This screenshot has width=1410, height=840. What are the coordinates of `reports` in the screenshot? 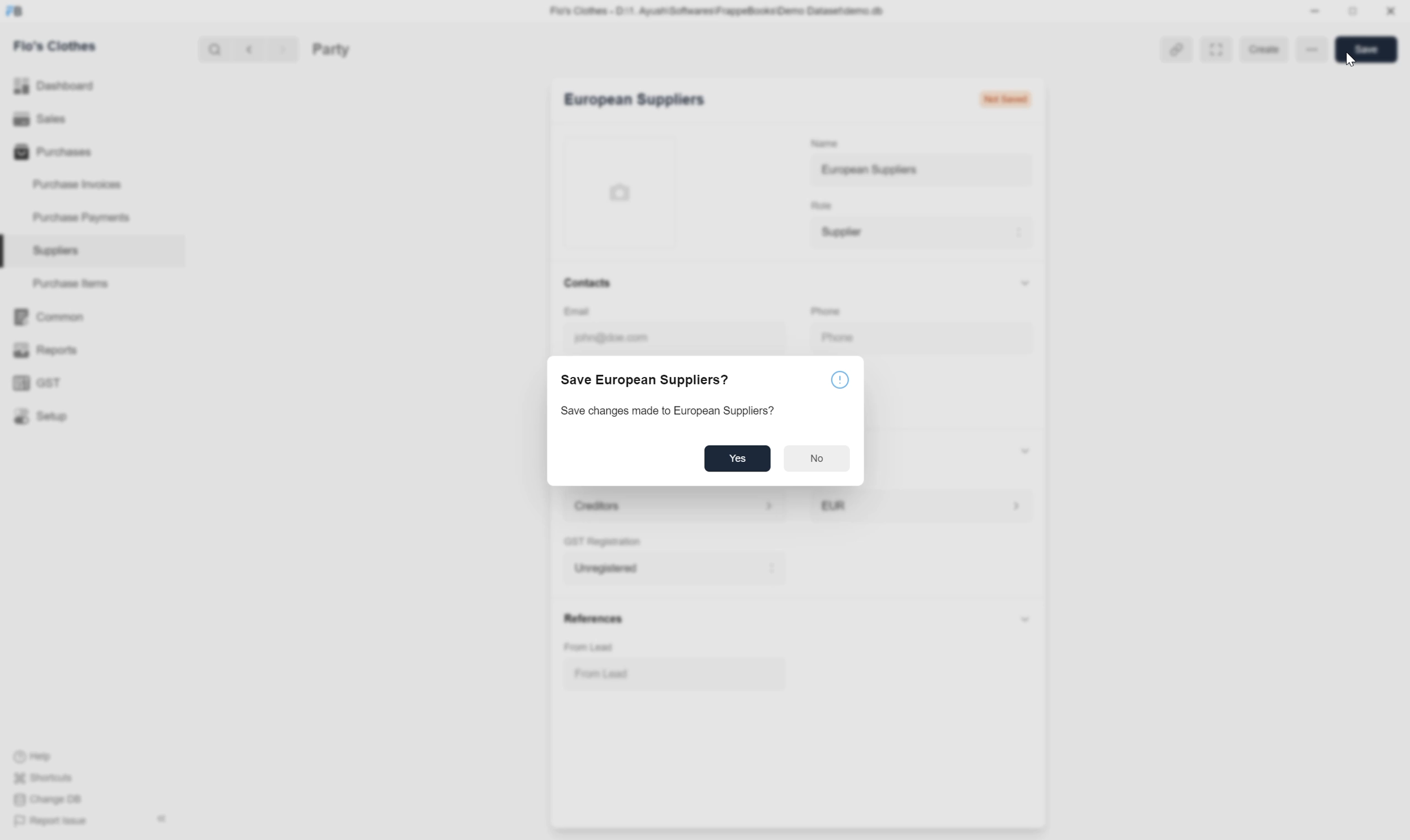 It's located at (48, 350).